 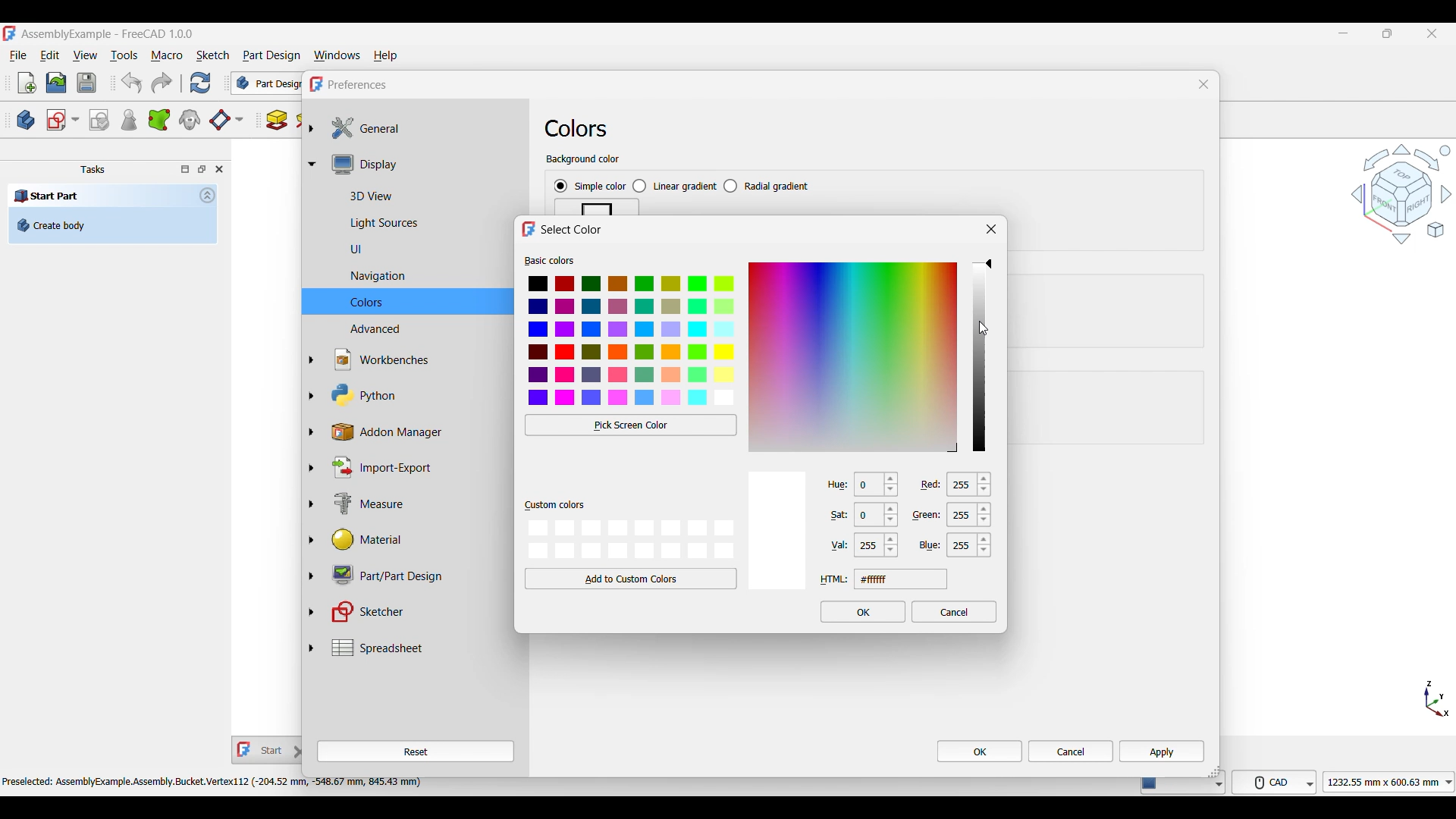 I want to click on Create a datum plane, so click(x=226, y=121).